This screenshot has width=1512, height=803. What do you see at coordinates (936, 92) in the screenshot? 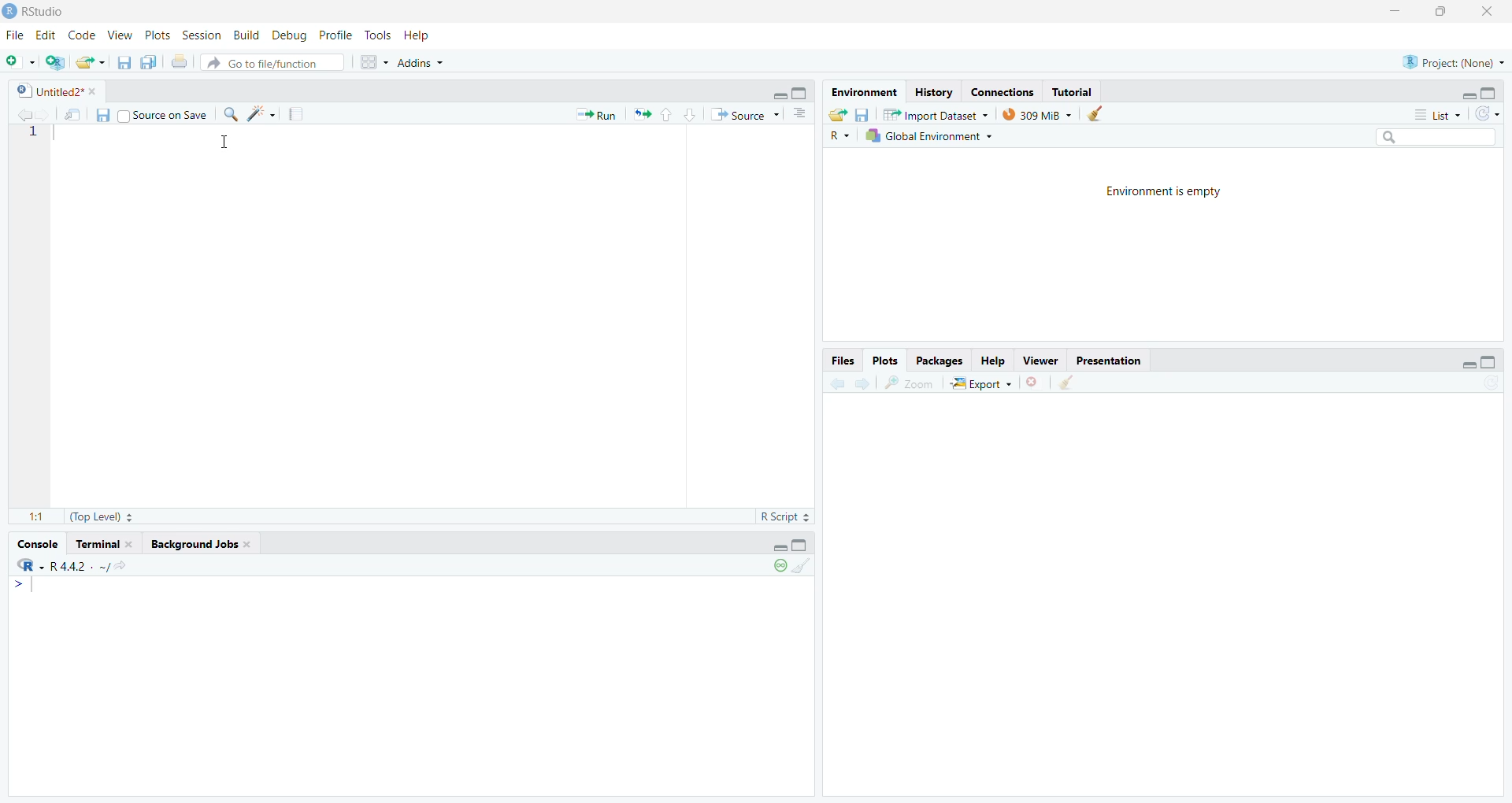
I see `History` at bounding box center [936, 92].